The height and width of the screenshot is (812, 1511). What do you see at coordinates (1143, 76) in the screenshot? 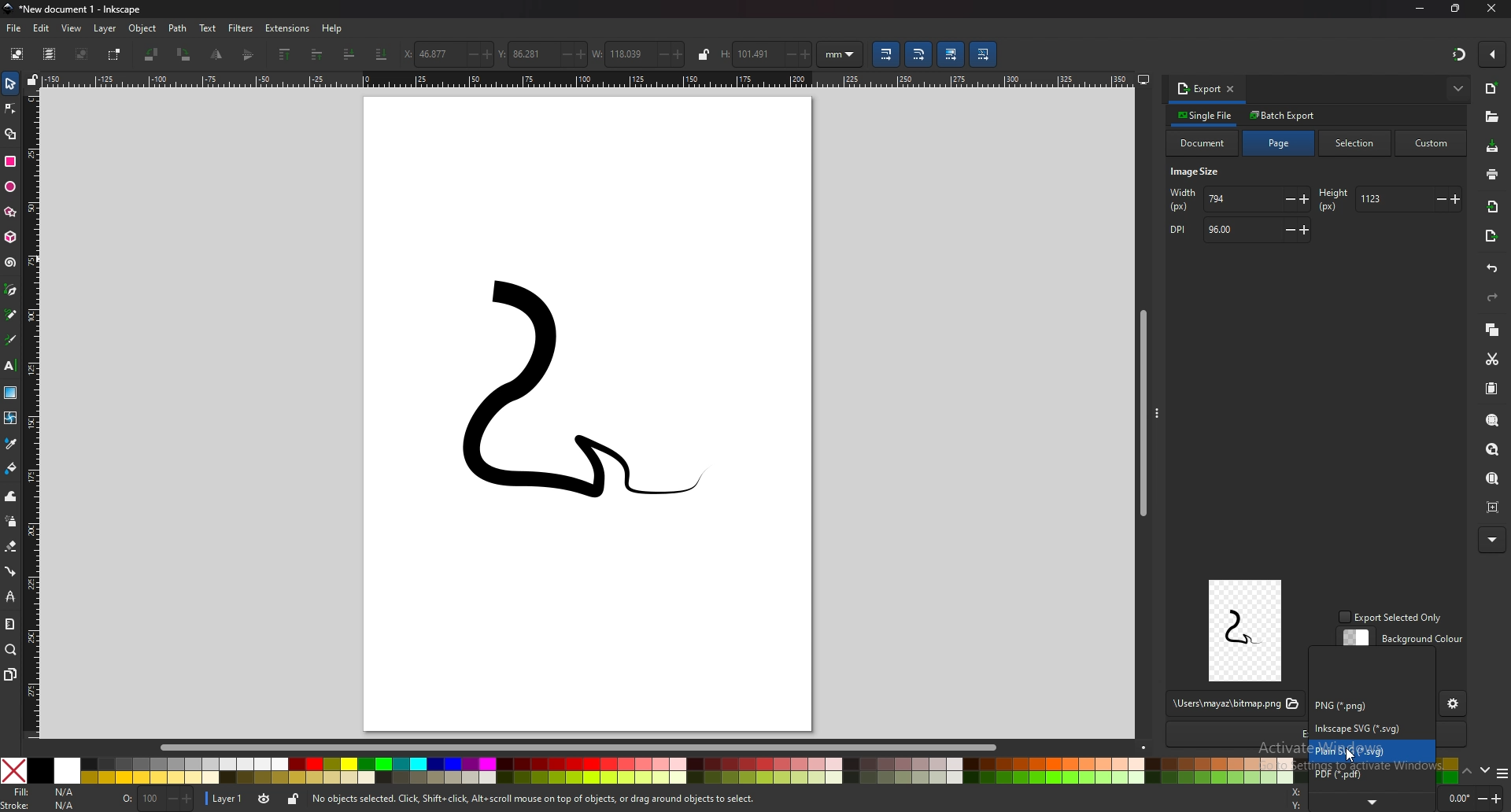
I see `display options` at bounding box center [1143, 76].